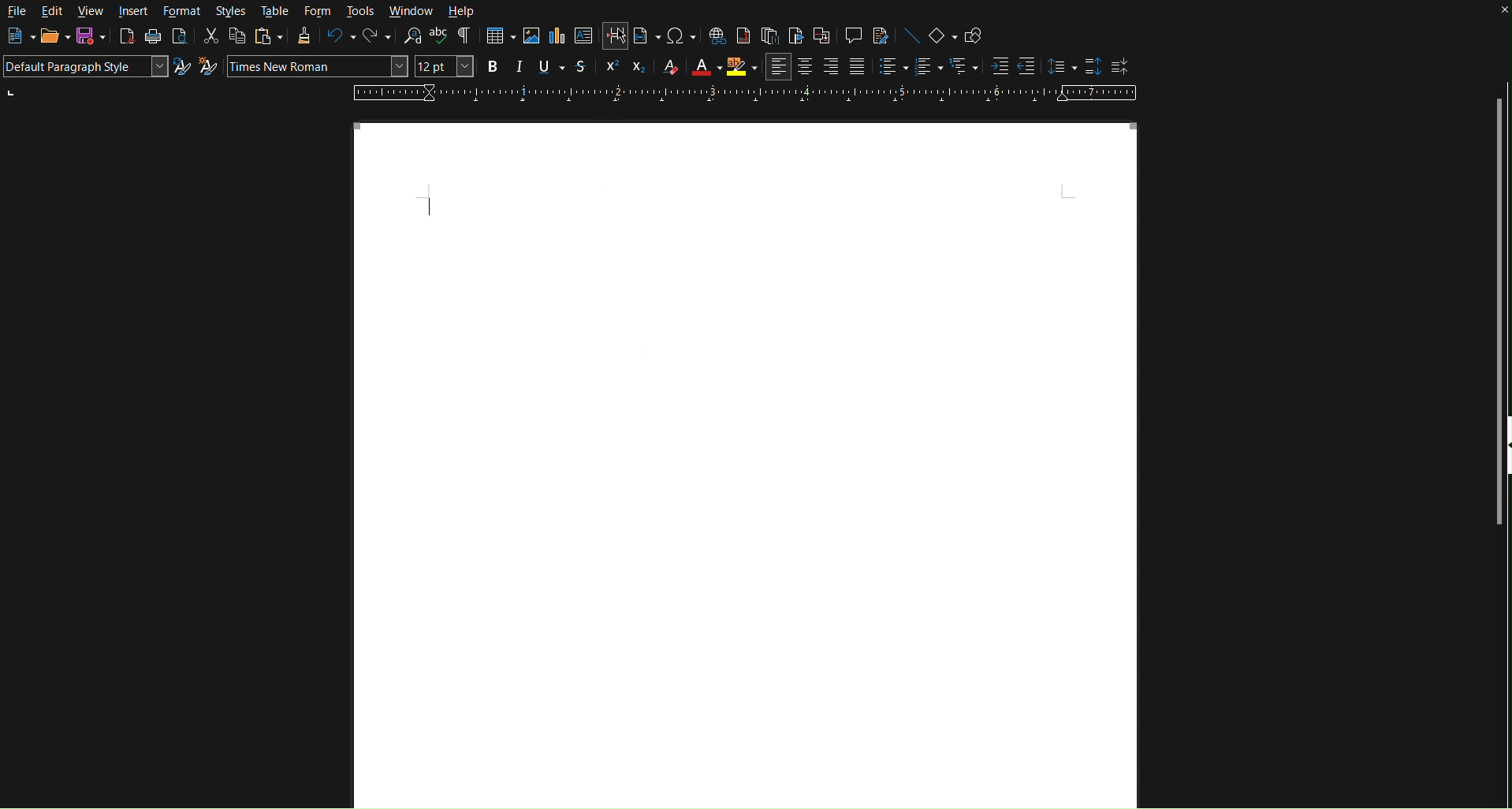 The image size is (1512, 809). I want to click on Increase Indent, so click(997, 66).